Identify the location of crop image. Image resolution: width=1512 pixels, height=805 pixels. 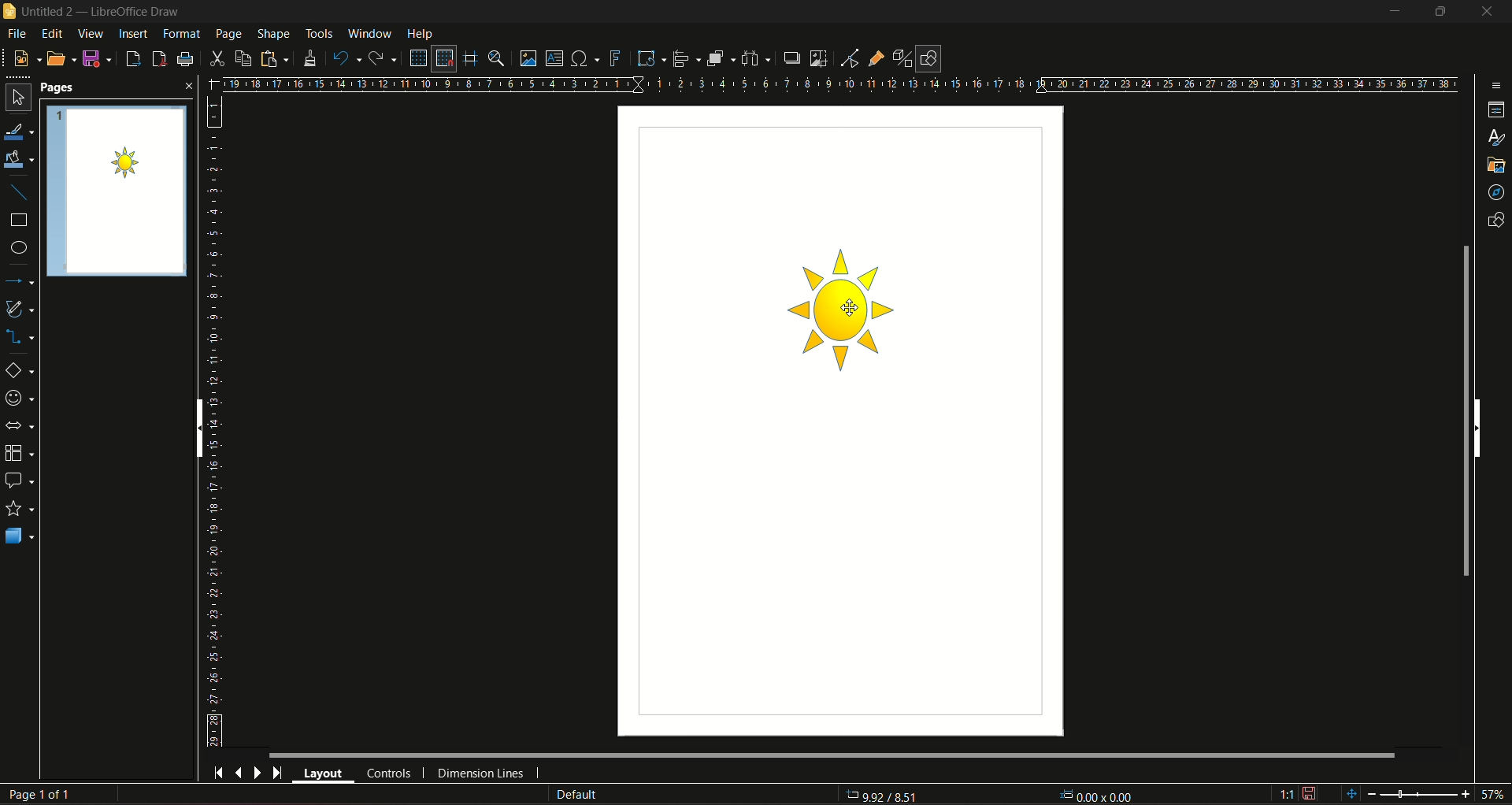
(820, 57).